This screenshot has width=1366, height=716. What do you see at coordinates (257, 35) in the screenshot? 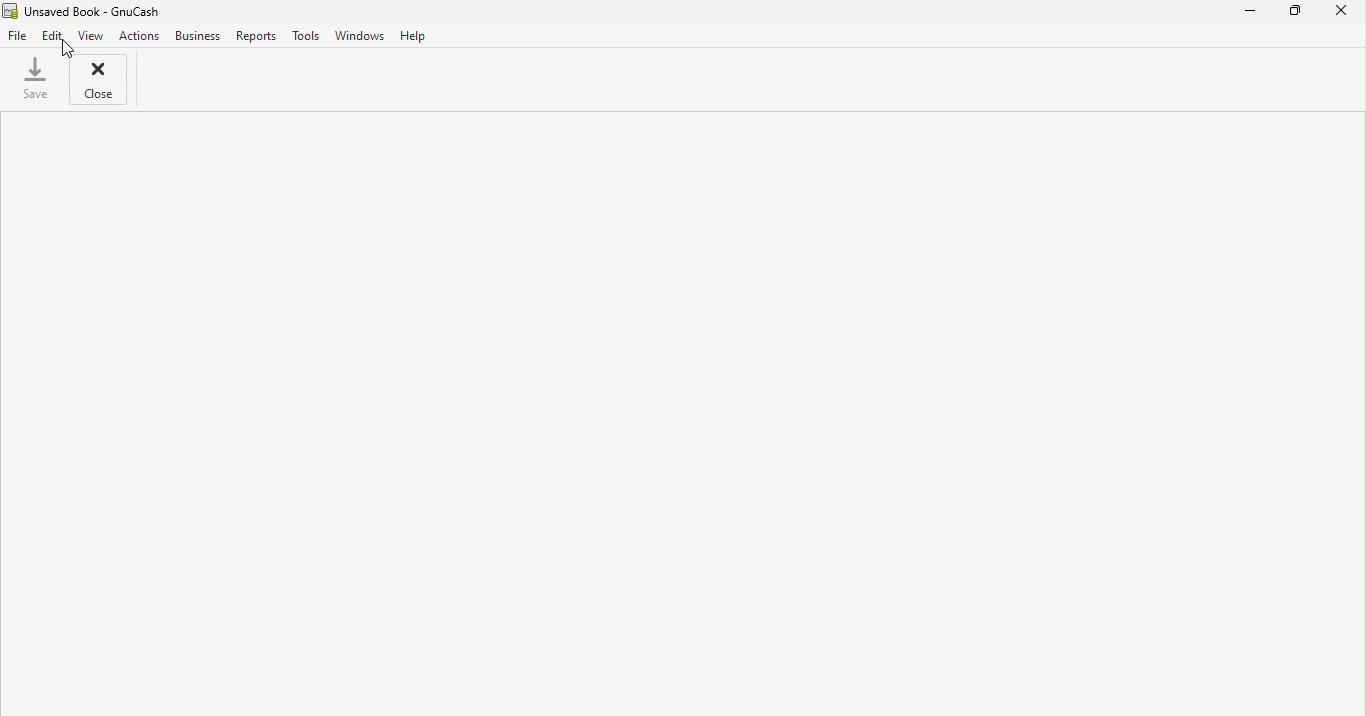
I see `Reports` at bounding box center [257, 35].